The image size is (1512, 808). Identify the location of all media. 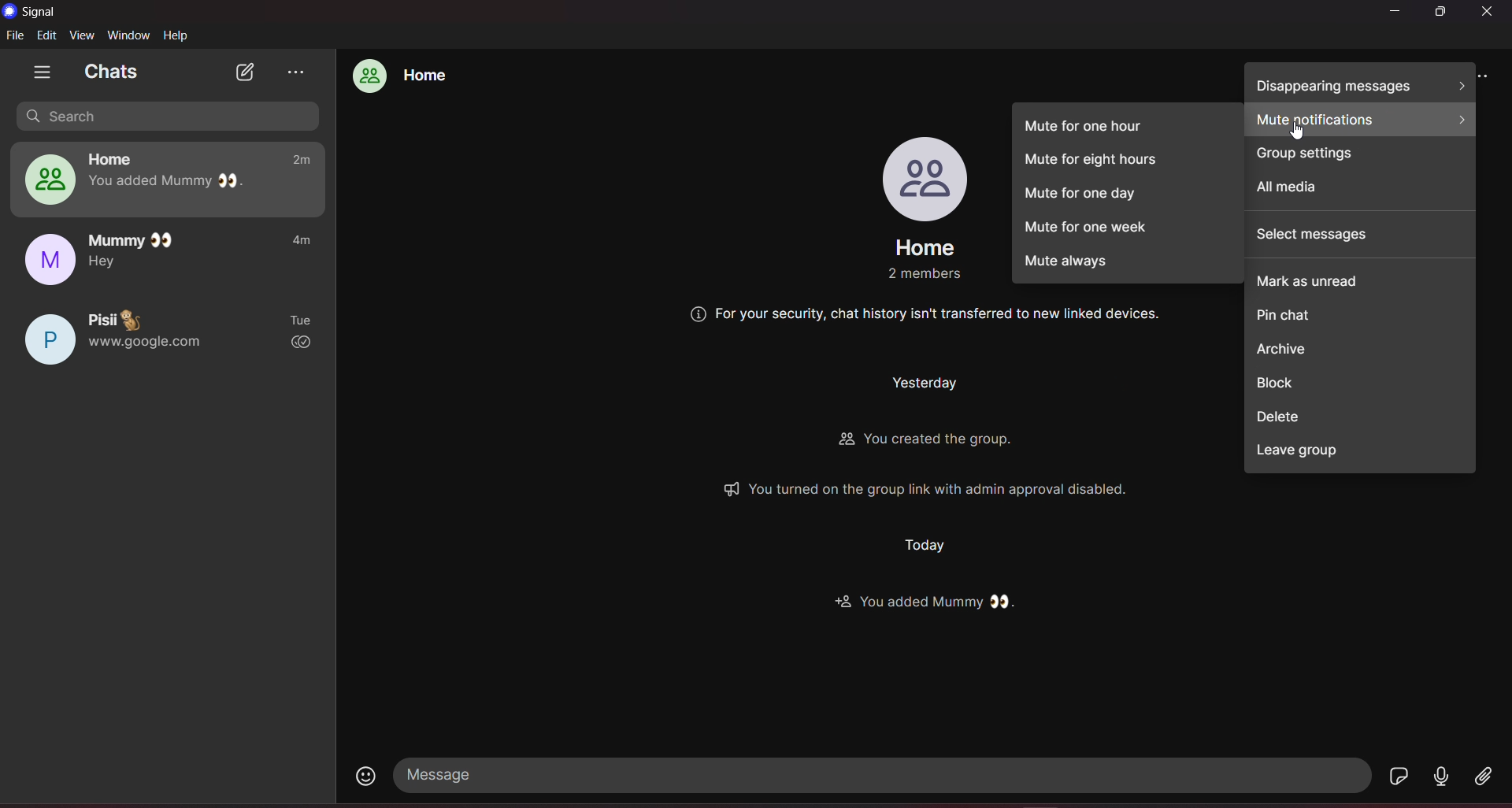
(1361, 195).